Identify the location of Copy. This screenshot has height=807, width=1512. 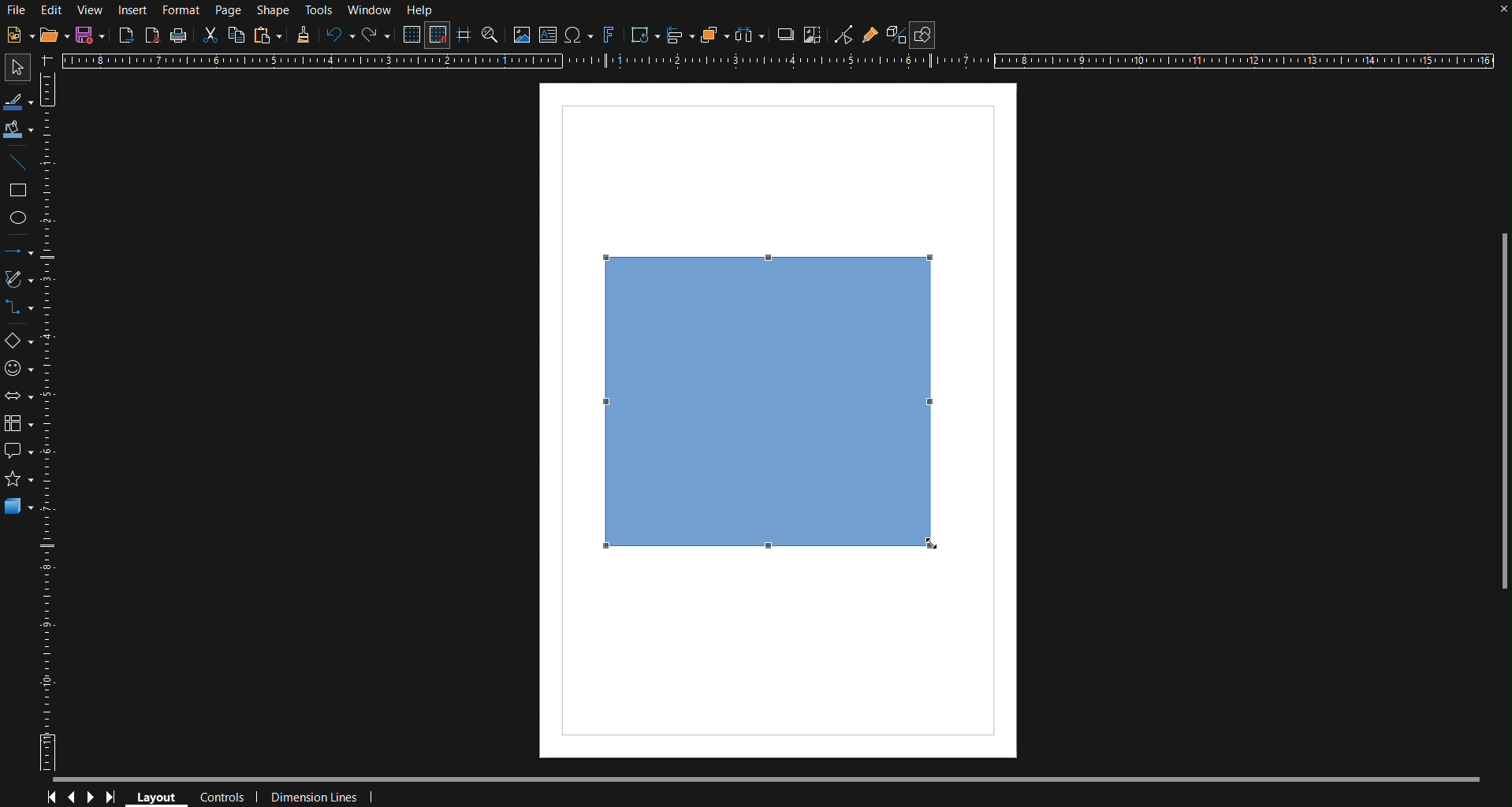
(236, 35).